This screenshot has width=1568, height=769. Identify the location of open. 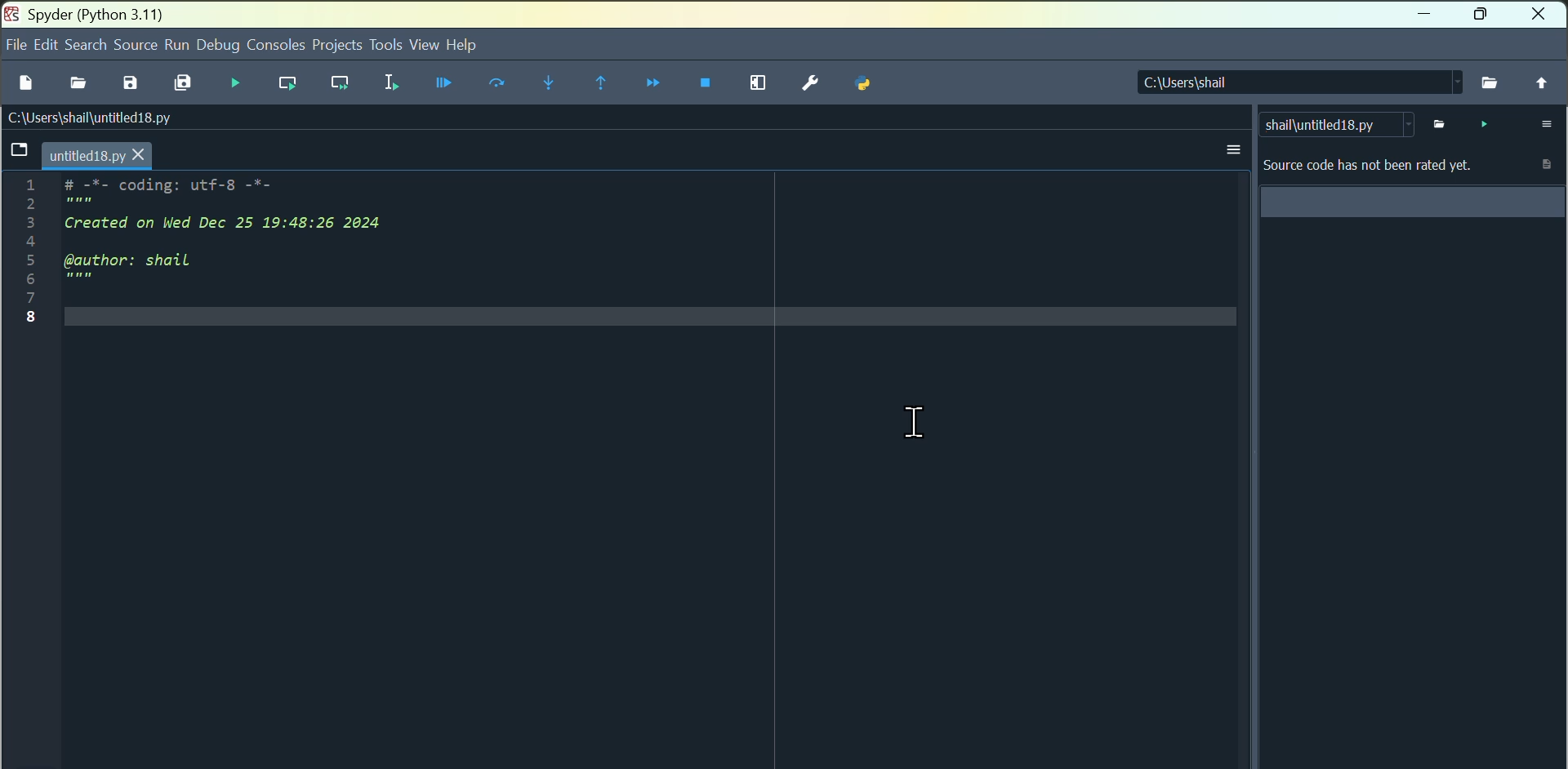
(76, 82).